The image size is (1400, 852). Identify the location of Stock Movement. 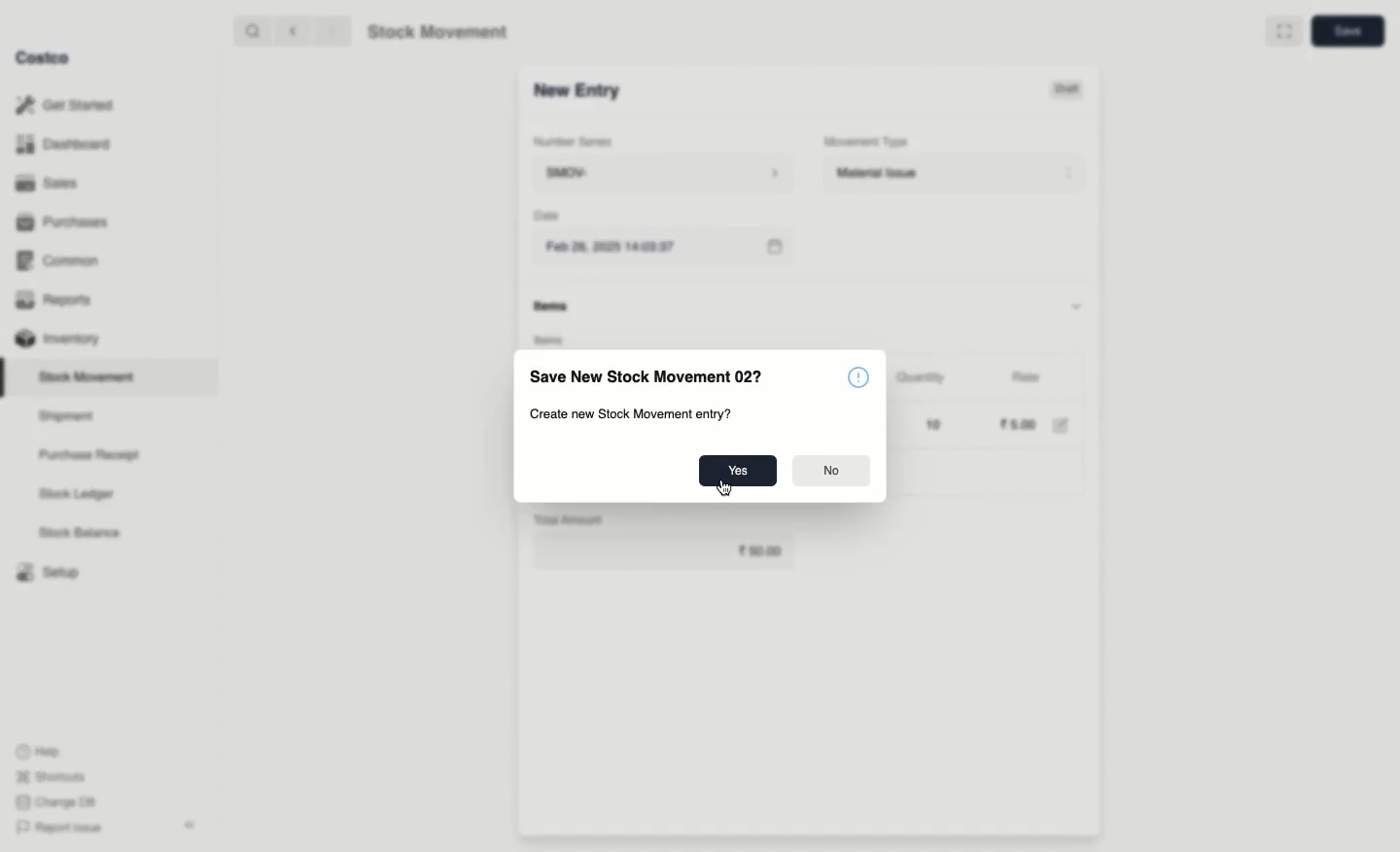
(90, 376).